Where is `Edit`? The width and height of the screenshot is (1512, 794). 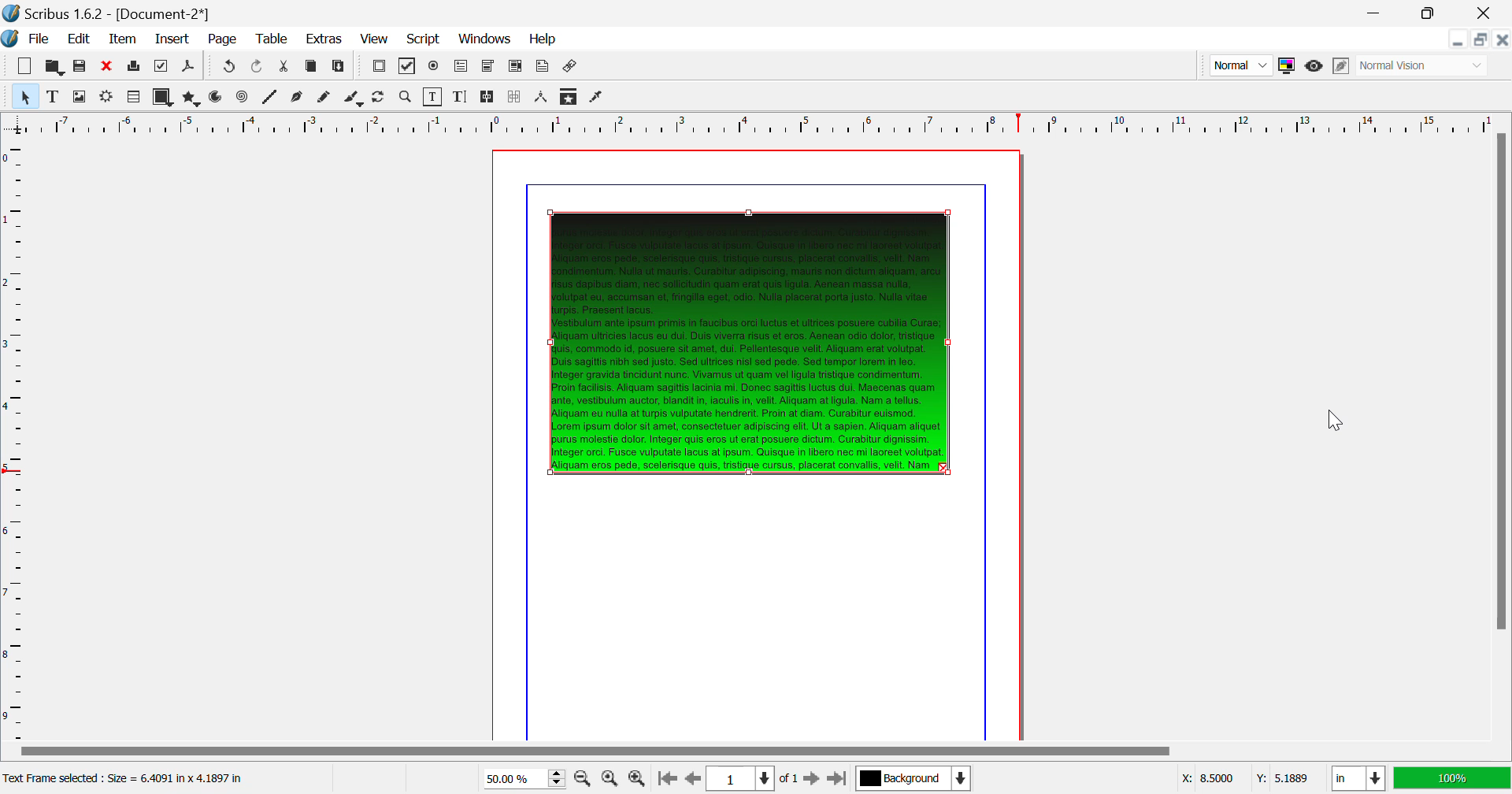
Edit is located at coordinates (76, 39).